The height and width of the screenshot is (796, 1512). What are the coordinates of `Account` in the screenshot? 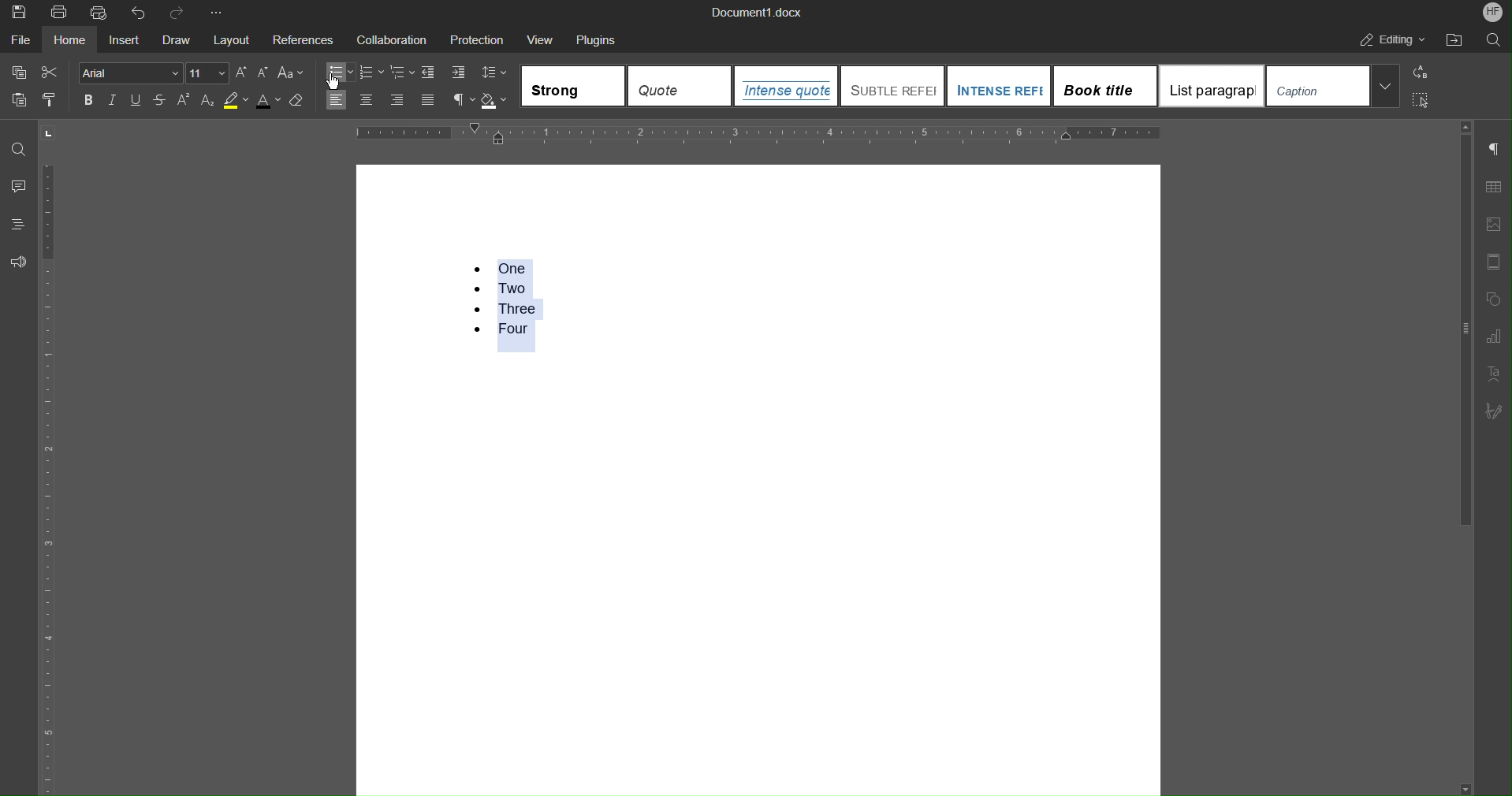 It's located at (1493, 11).